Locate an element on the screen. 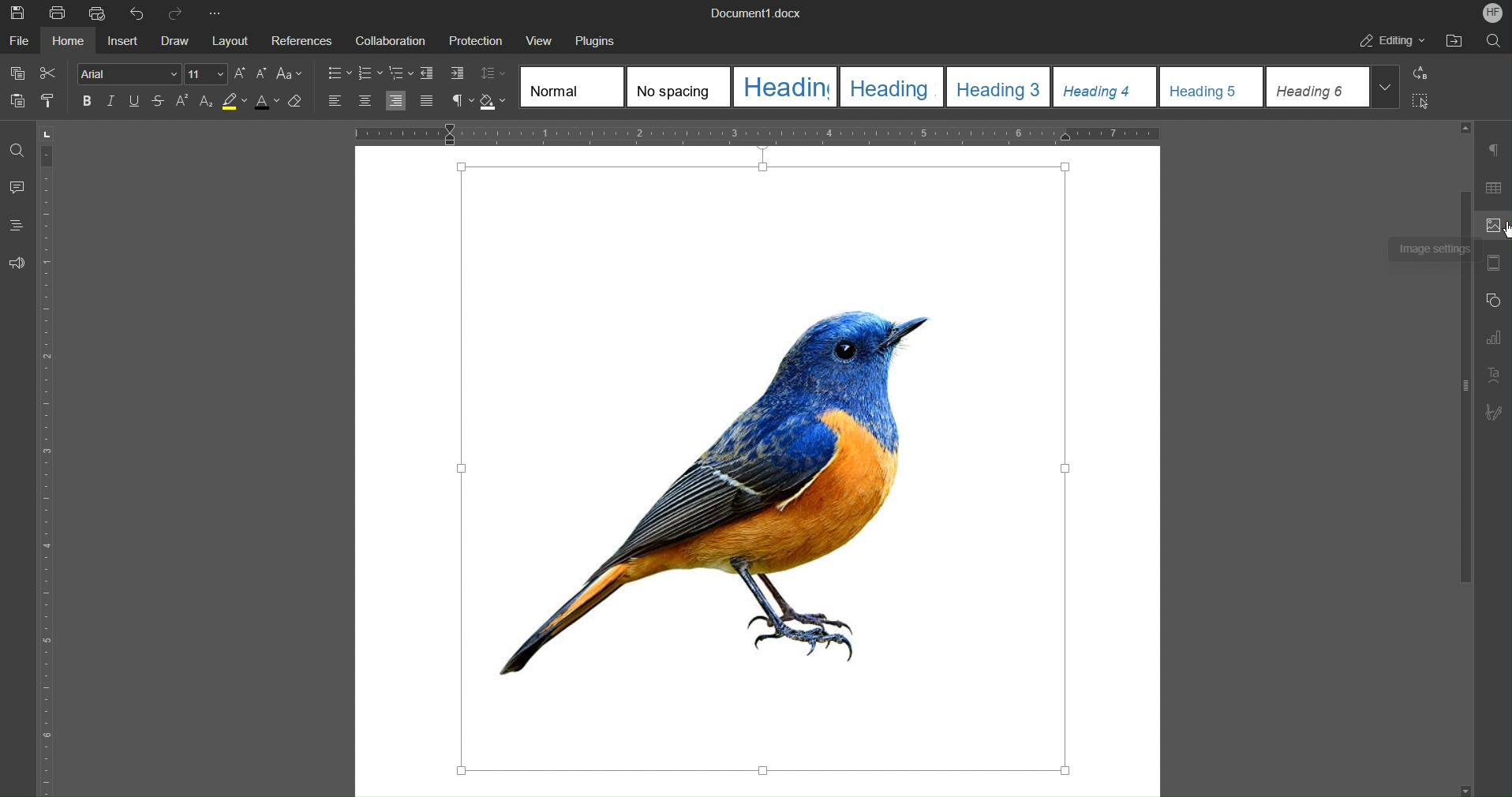  Increase Indent is located at coordinates (451, 73).